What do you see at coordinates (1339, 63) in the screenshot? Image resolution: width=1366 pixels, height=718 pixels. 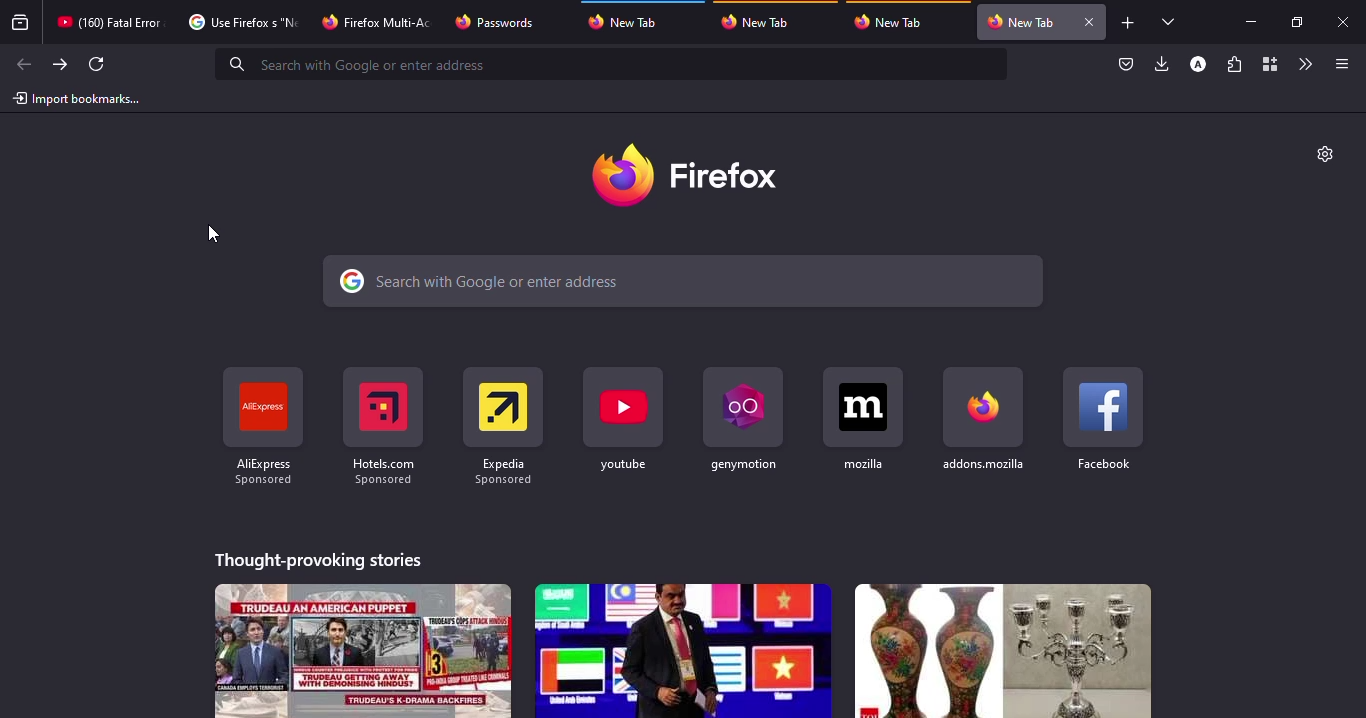 I see `open menu` at bounding box center [1339, 63].